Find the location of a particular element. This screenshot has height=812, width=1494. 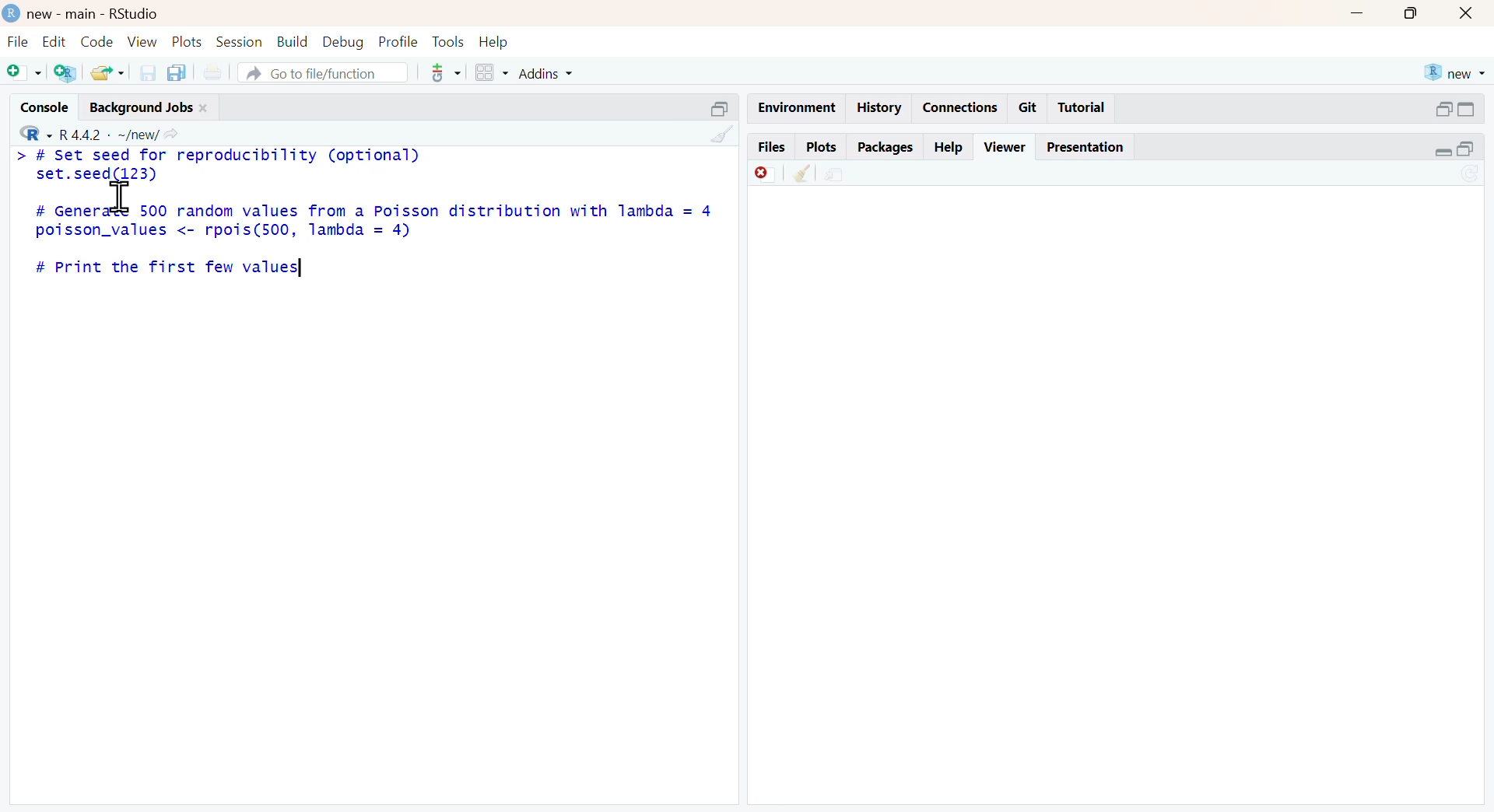

clean is located at coordinates (725, 135).